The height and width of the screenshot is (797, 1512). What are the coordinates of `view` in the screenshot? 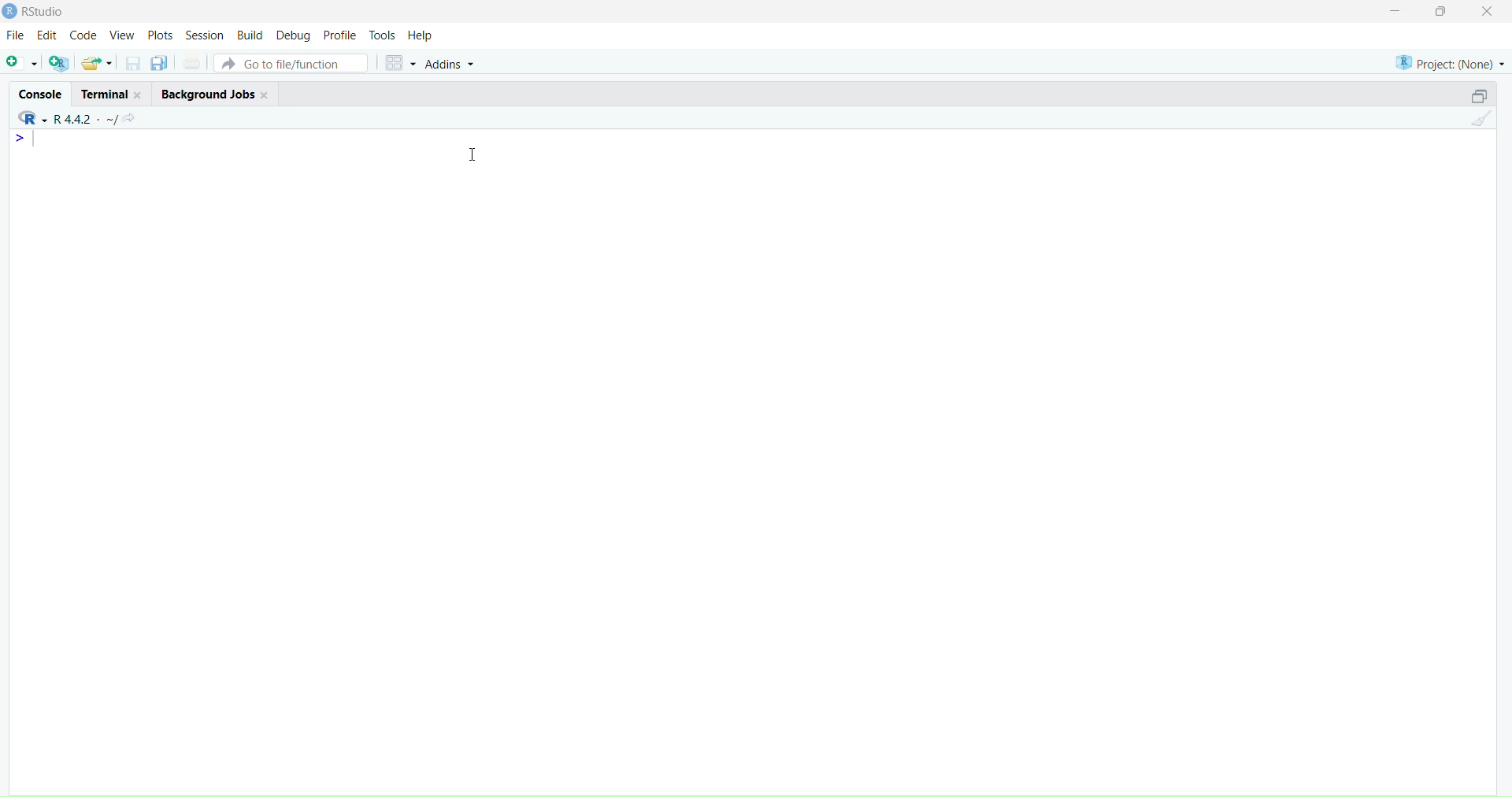 It's located at (122, 35).